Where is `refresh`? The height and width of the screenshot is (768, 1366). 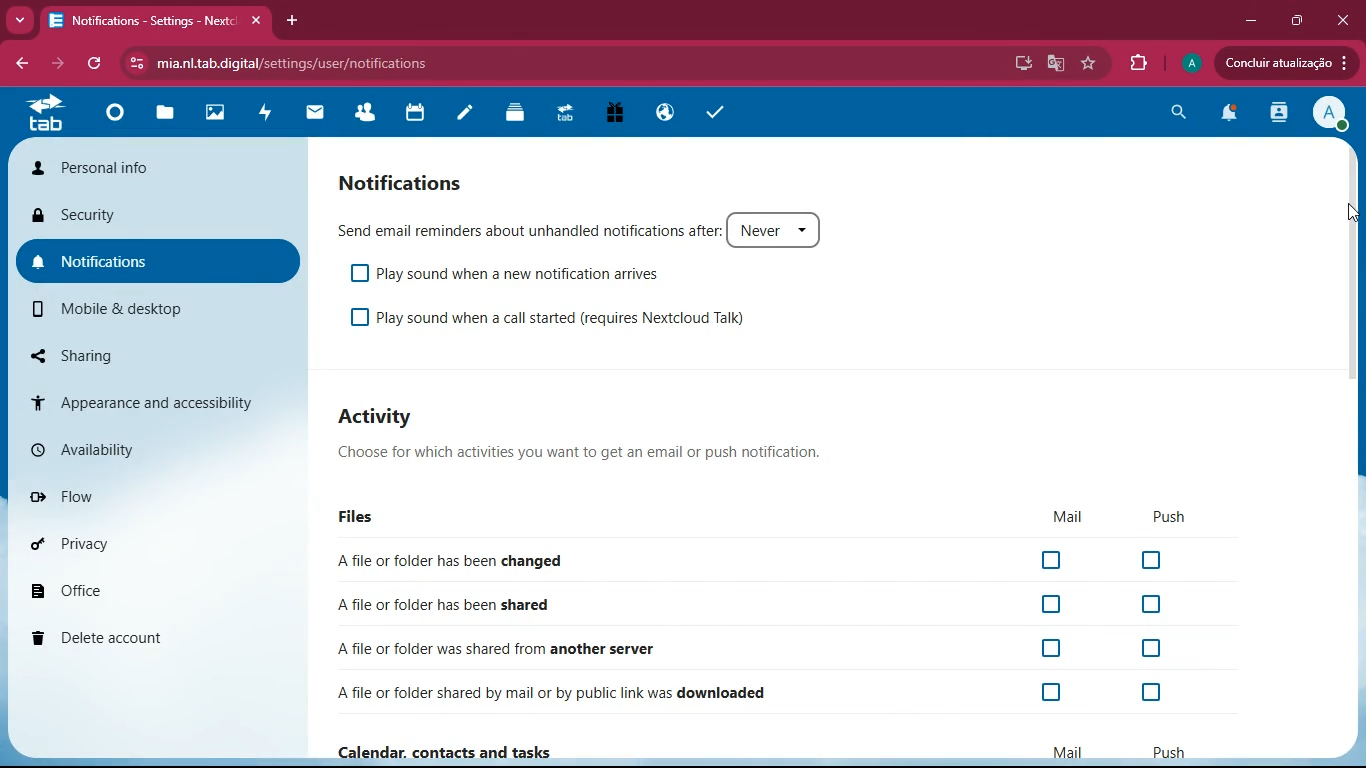 refresh is located at coordinates (96, 66).